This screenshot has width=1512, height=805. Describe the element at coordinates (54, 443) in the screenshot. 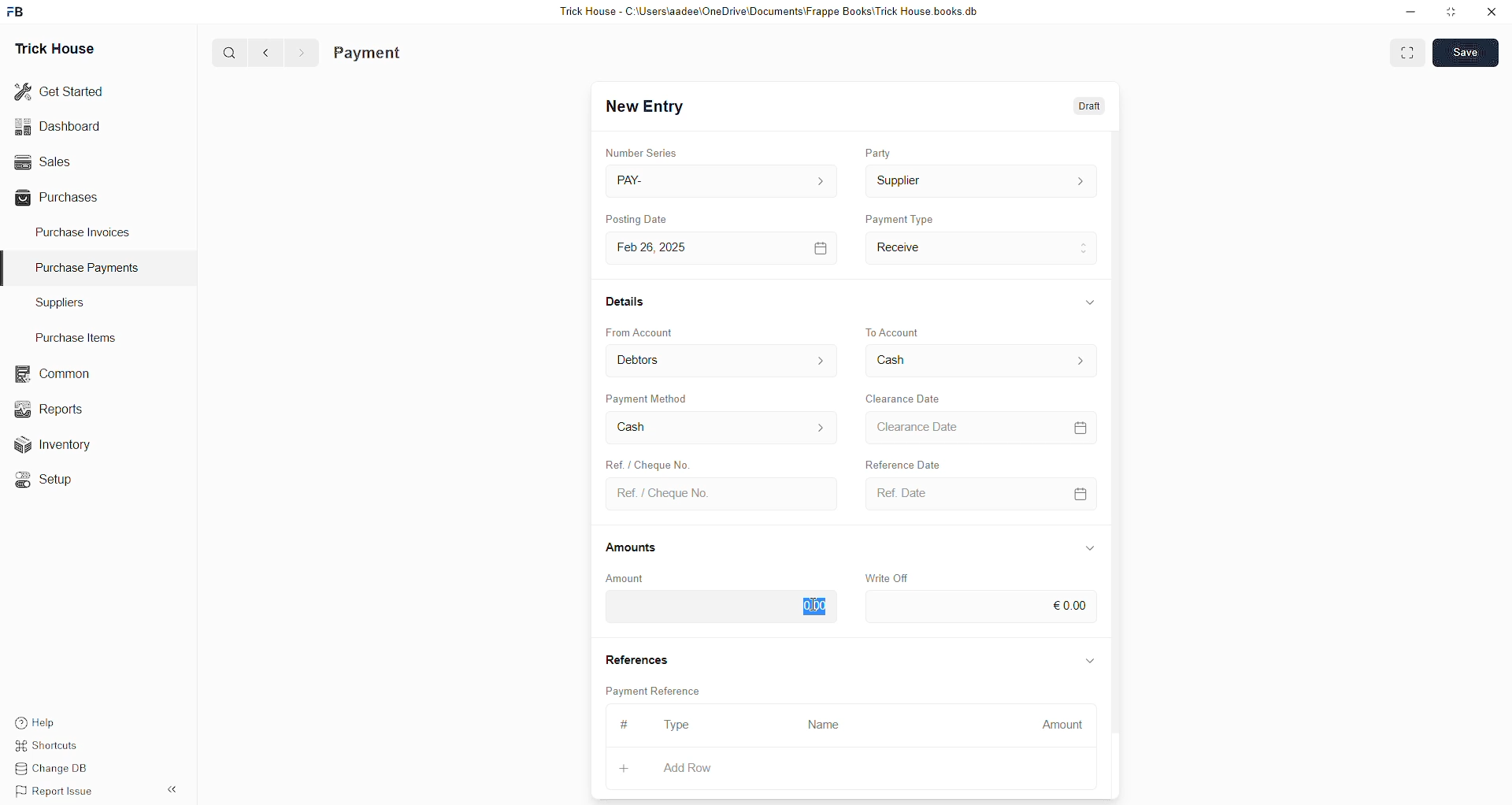

I see `Inventory` at that location.